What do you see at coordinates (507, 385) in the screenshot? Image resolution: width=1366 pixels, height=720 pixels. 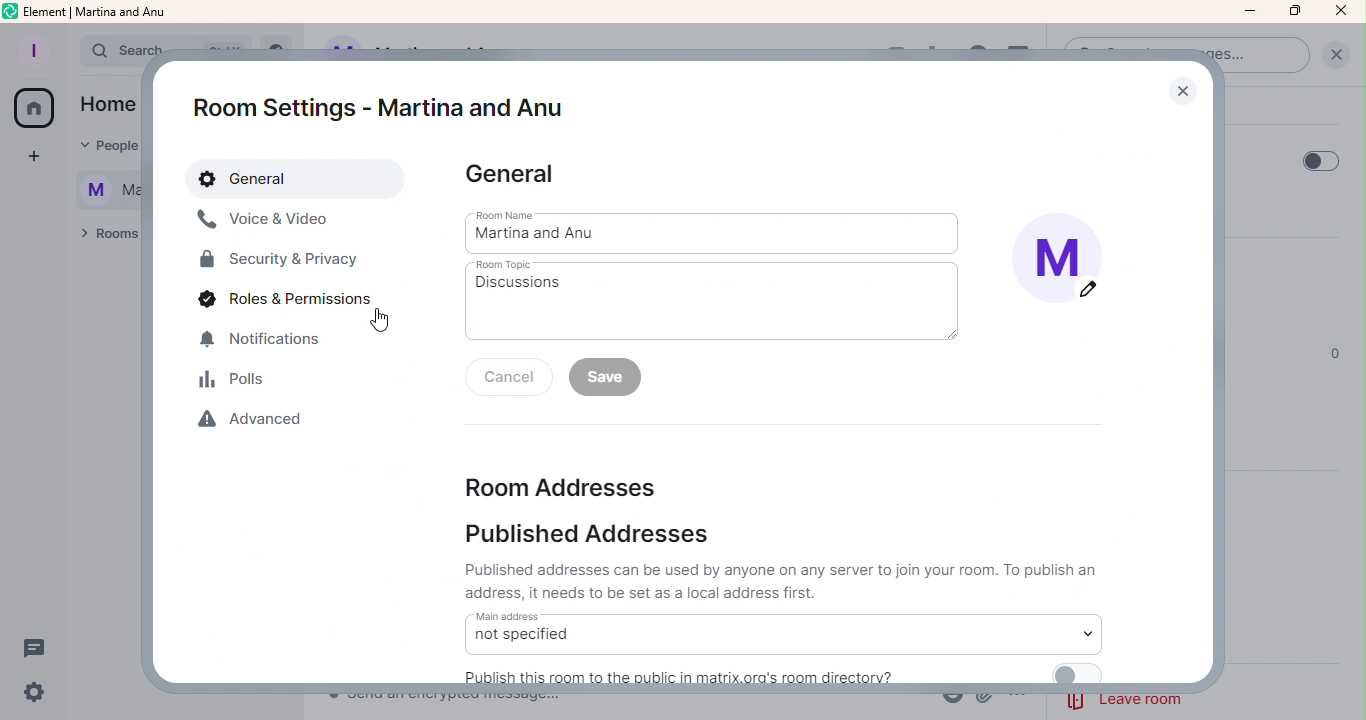 I see `Cancel` at bounding box center [507, 385].